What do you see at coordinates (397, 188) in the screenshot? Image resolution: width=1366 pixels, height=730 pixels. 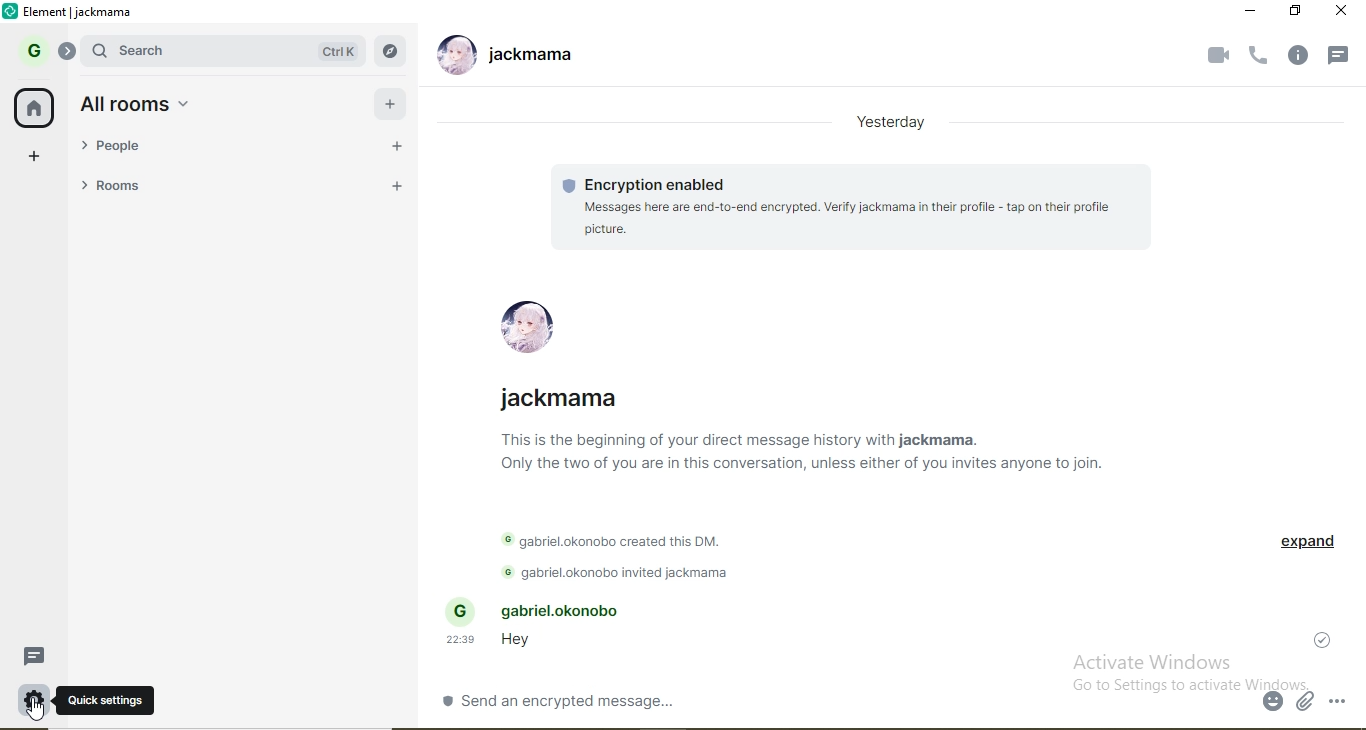 I see `add rooms` at bounding box center [397, 188].